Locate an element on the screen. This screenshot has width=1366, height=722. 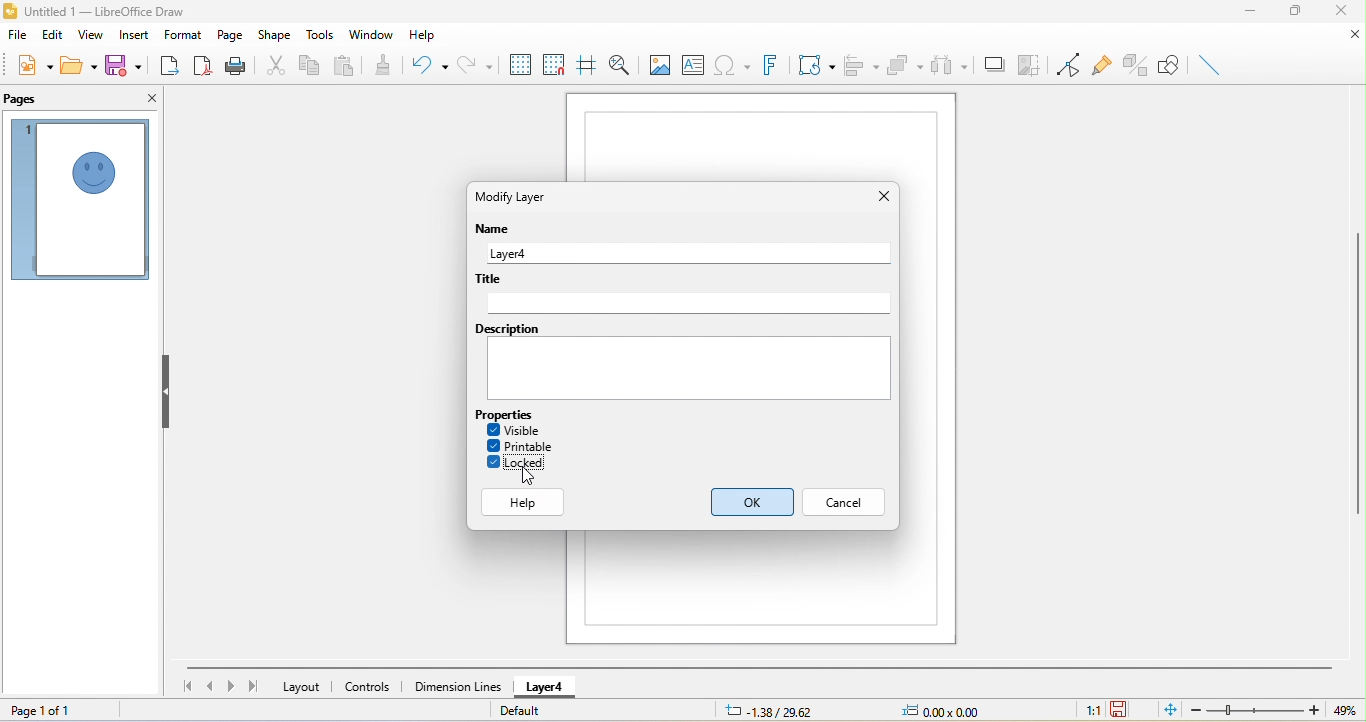
first page is located at coordinates (184, 686).